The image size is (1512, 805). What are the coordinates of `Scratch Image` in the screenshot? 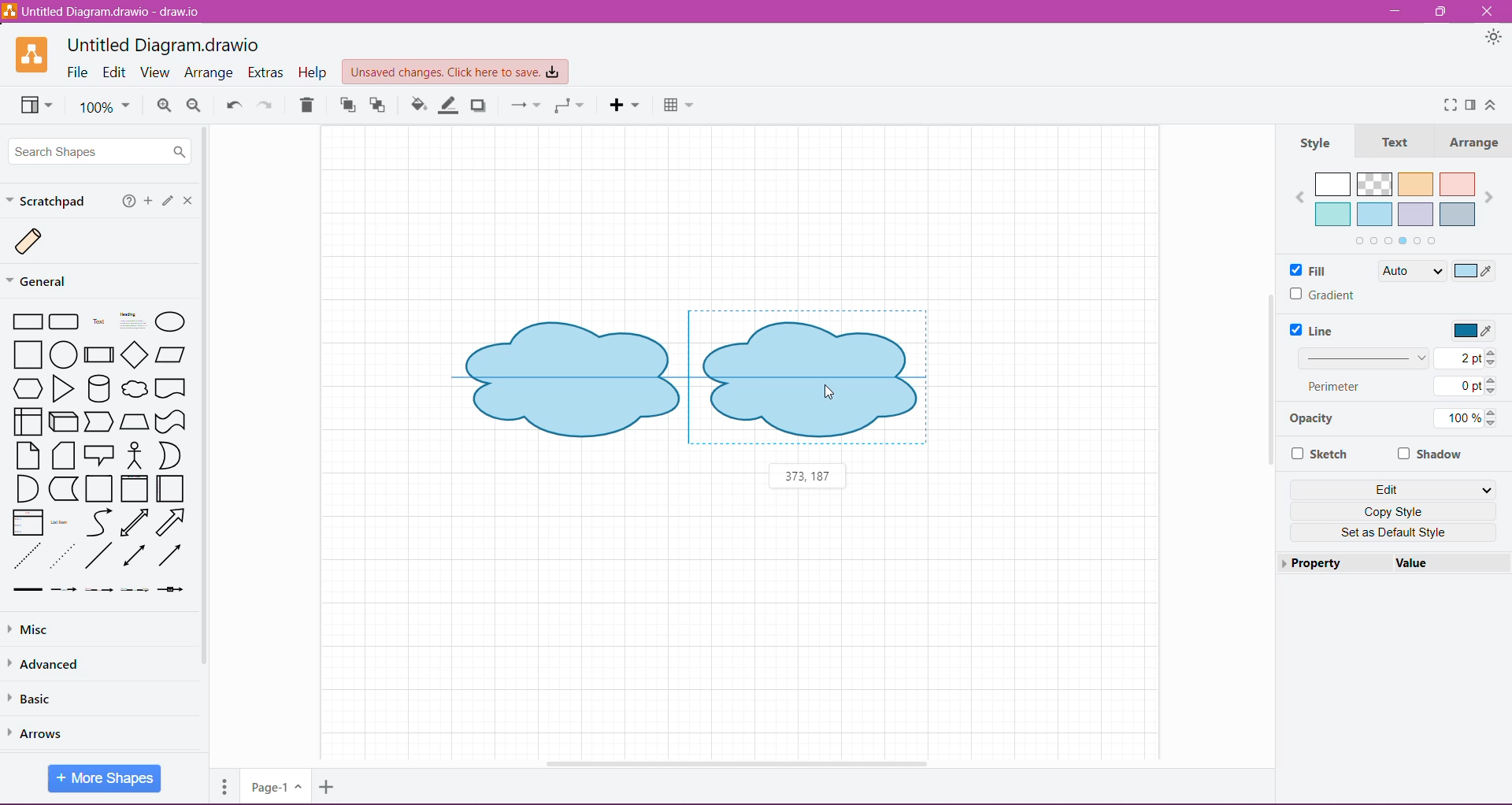 It's located at (41, 243).